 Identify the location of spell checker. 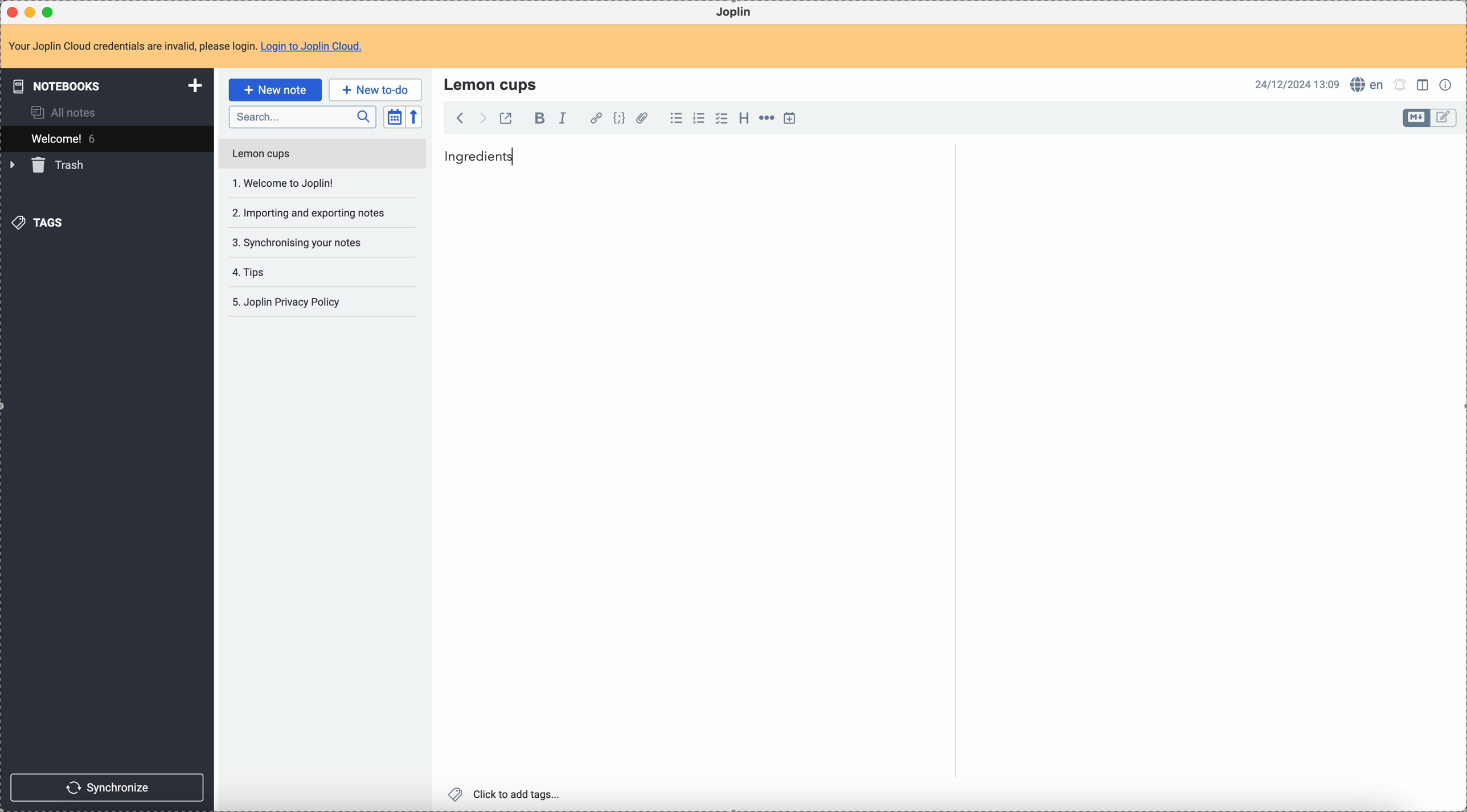
(1370, 84).